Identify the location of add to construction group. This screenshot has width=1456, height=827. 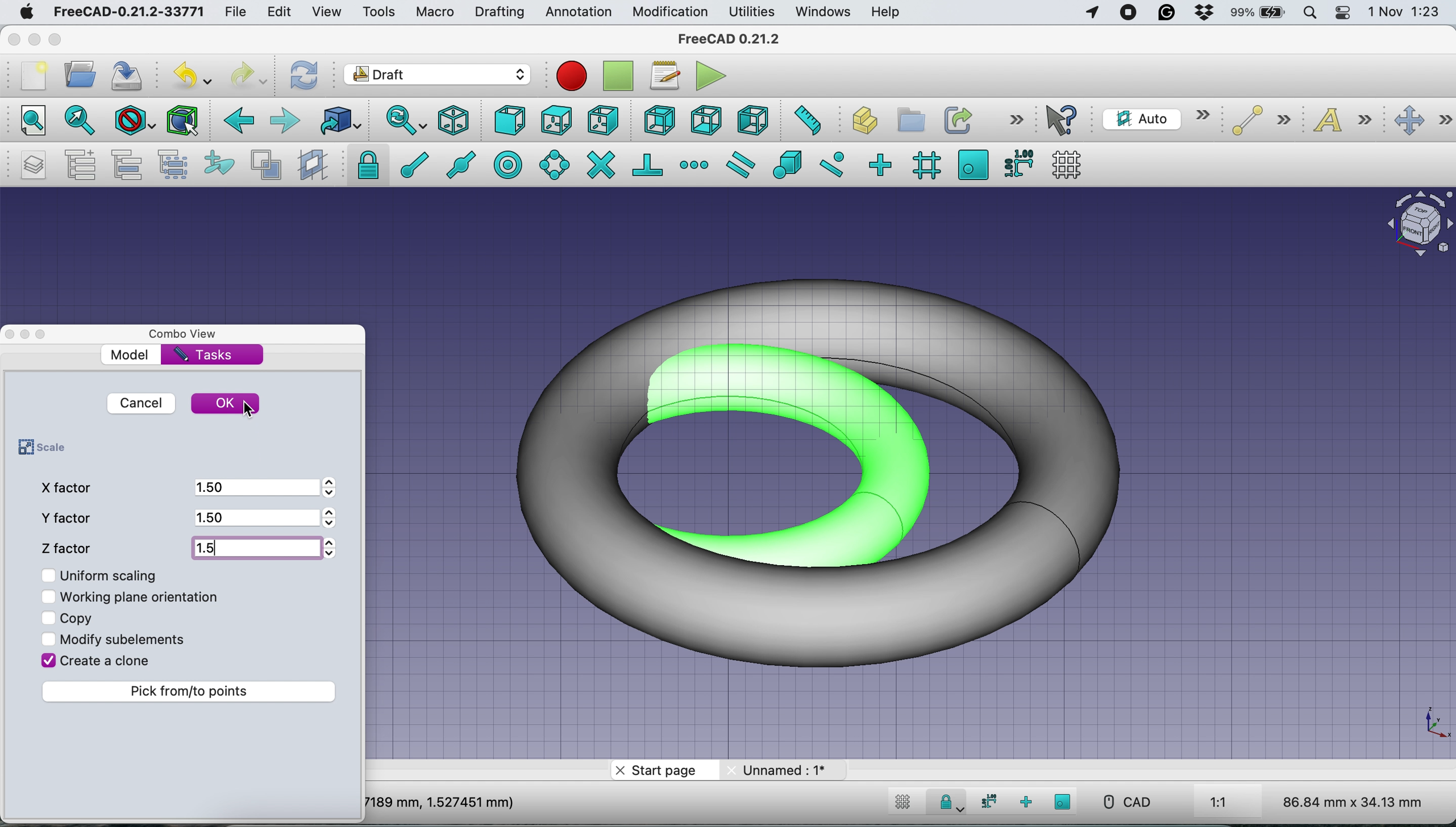
(215, 165).